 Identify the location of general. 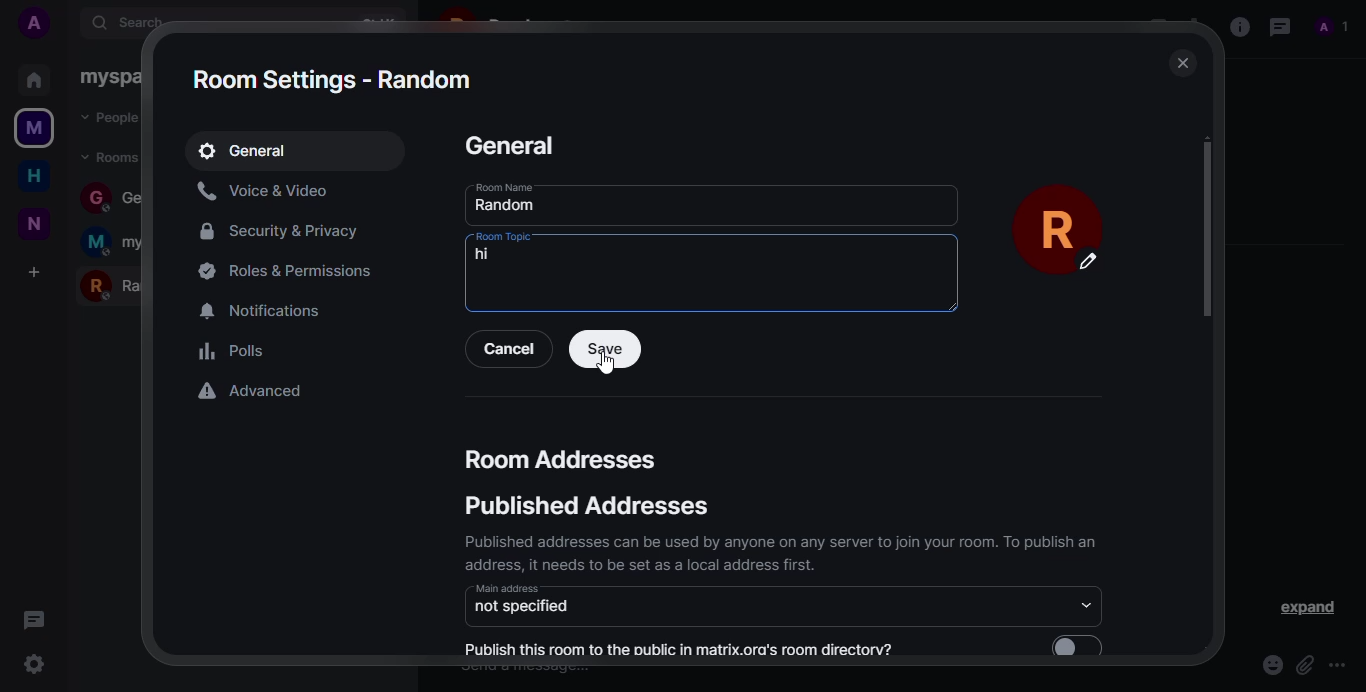
(254, 151).